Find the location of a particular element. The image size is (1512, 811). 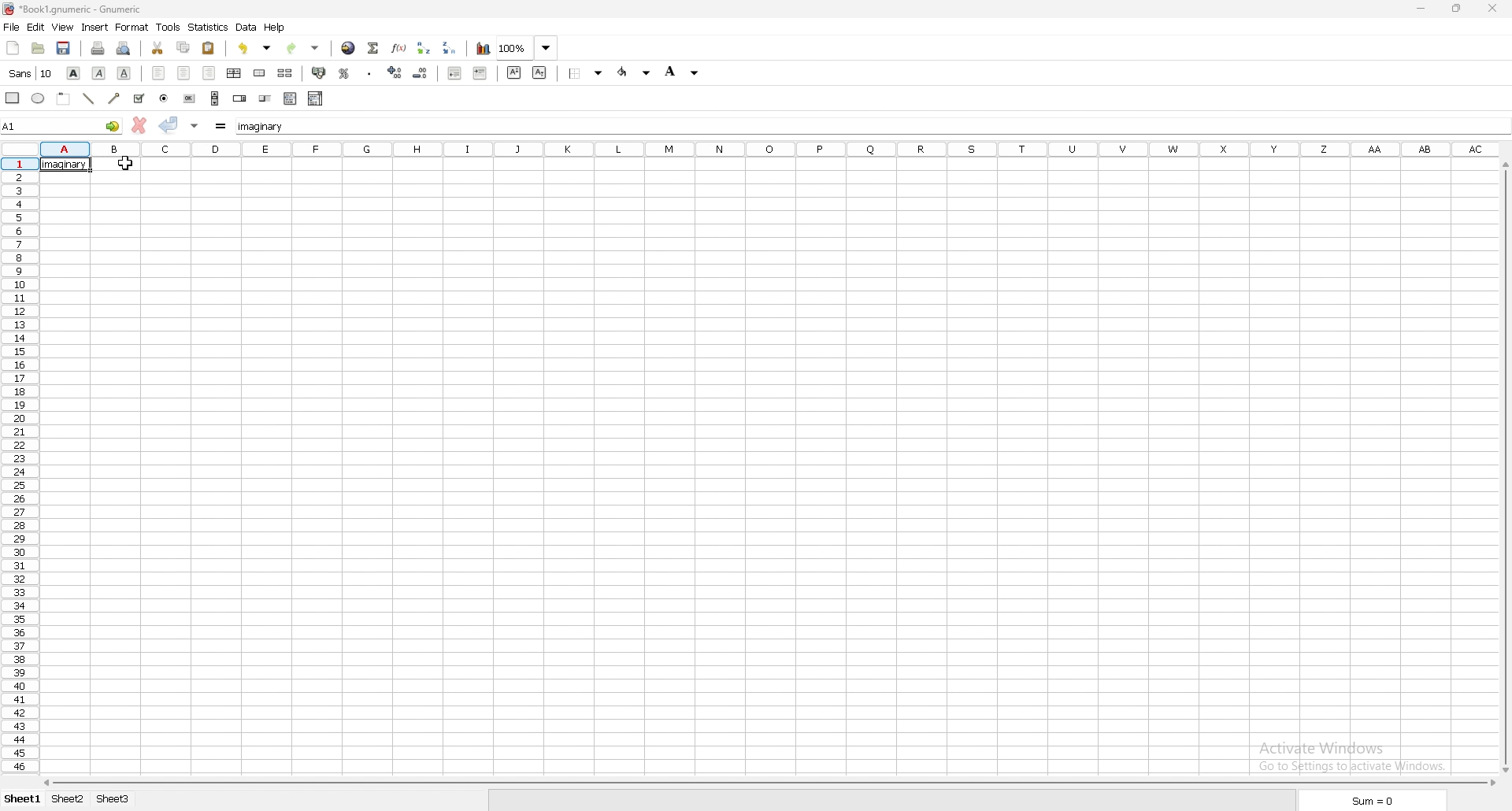

italic is located at coordinates (99, 72).